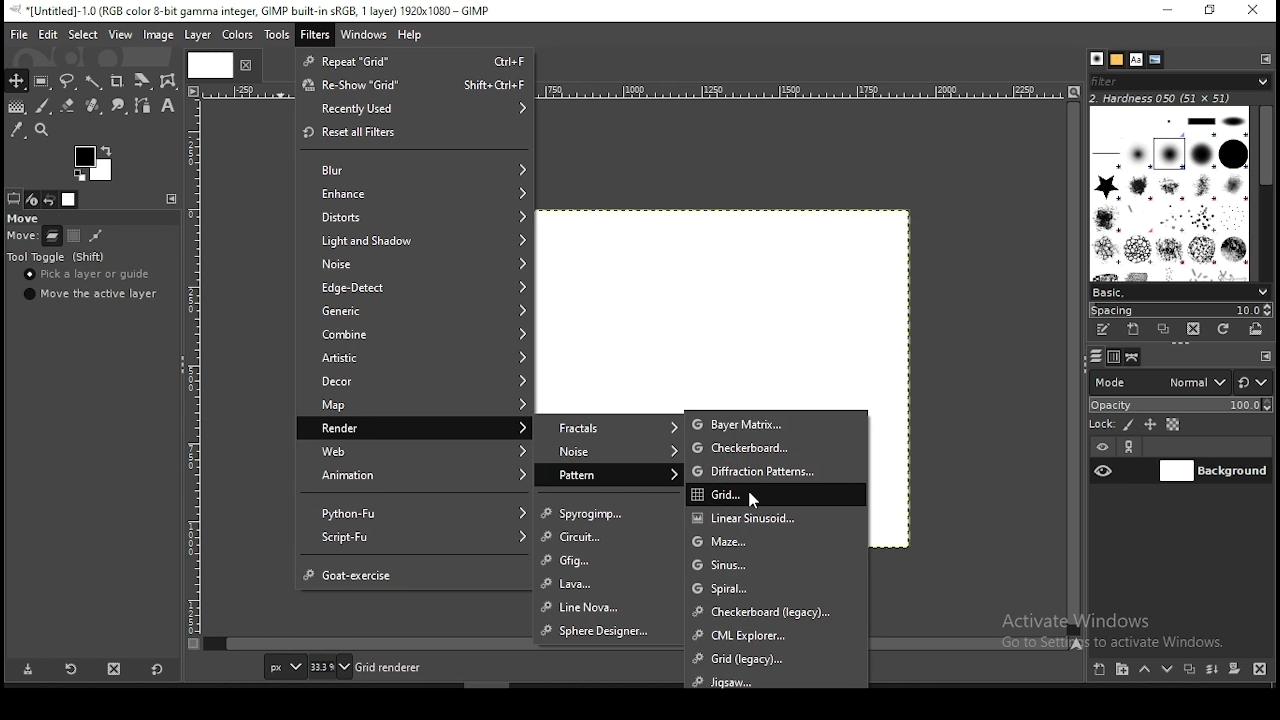 Image resolution: width=1280 pixels, height=720 pixels. Describe the element at coordinates (173, 199) in the screenshot. I see `cinfigure this tab` at that location.